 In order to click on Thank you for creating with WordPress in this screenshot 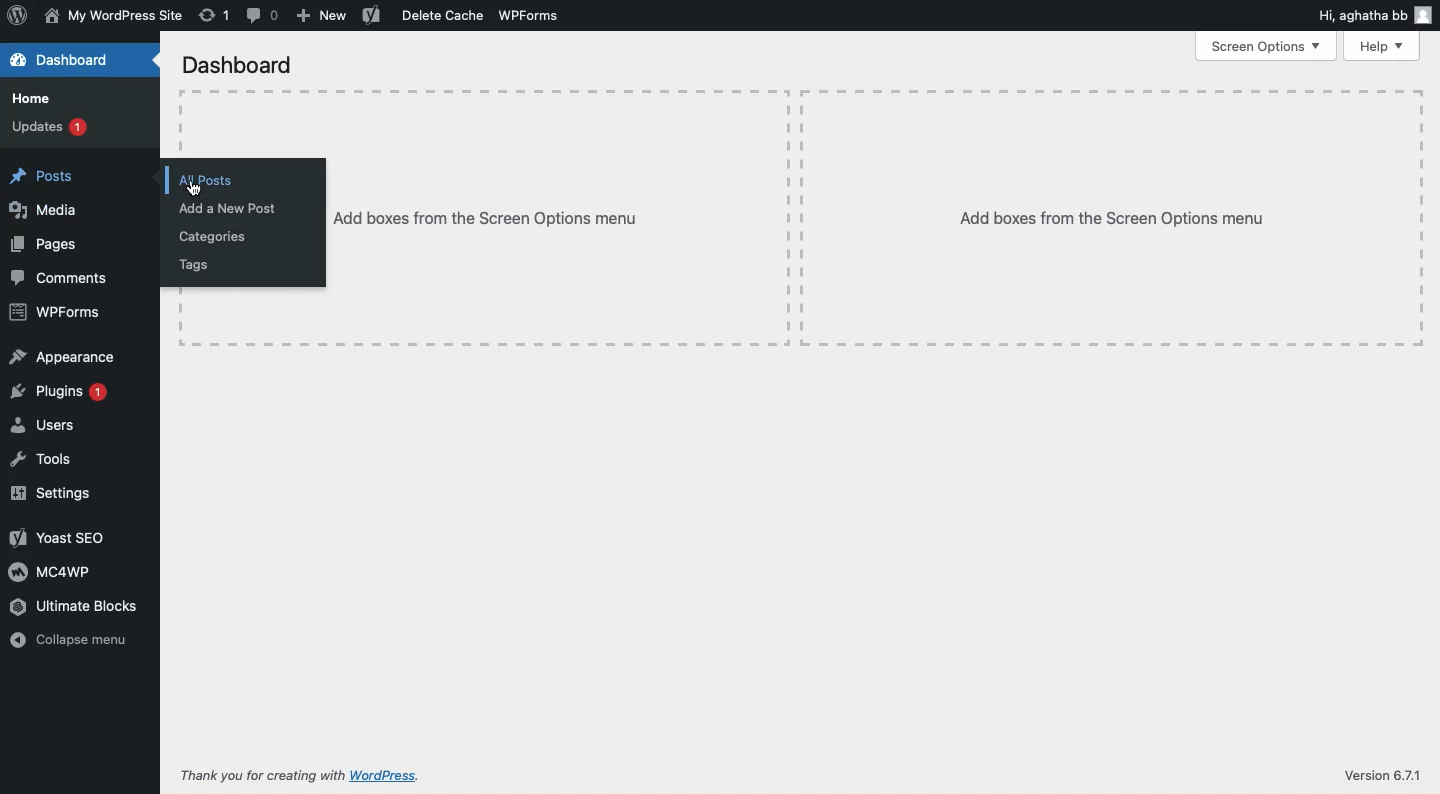, I will do `click(297, 775)`.